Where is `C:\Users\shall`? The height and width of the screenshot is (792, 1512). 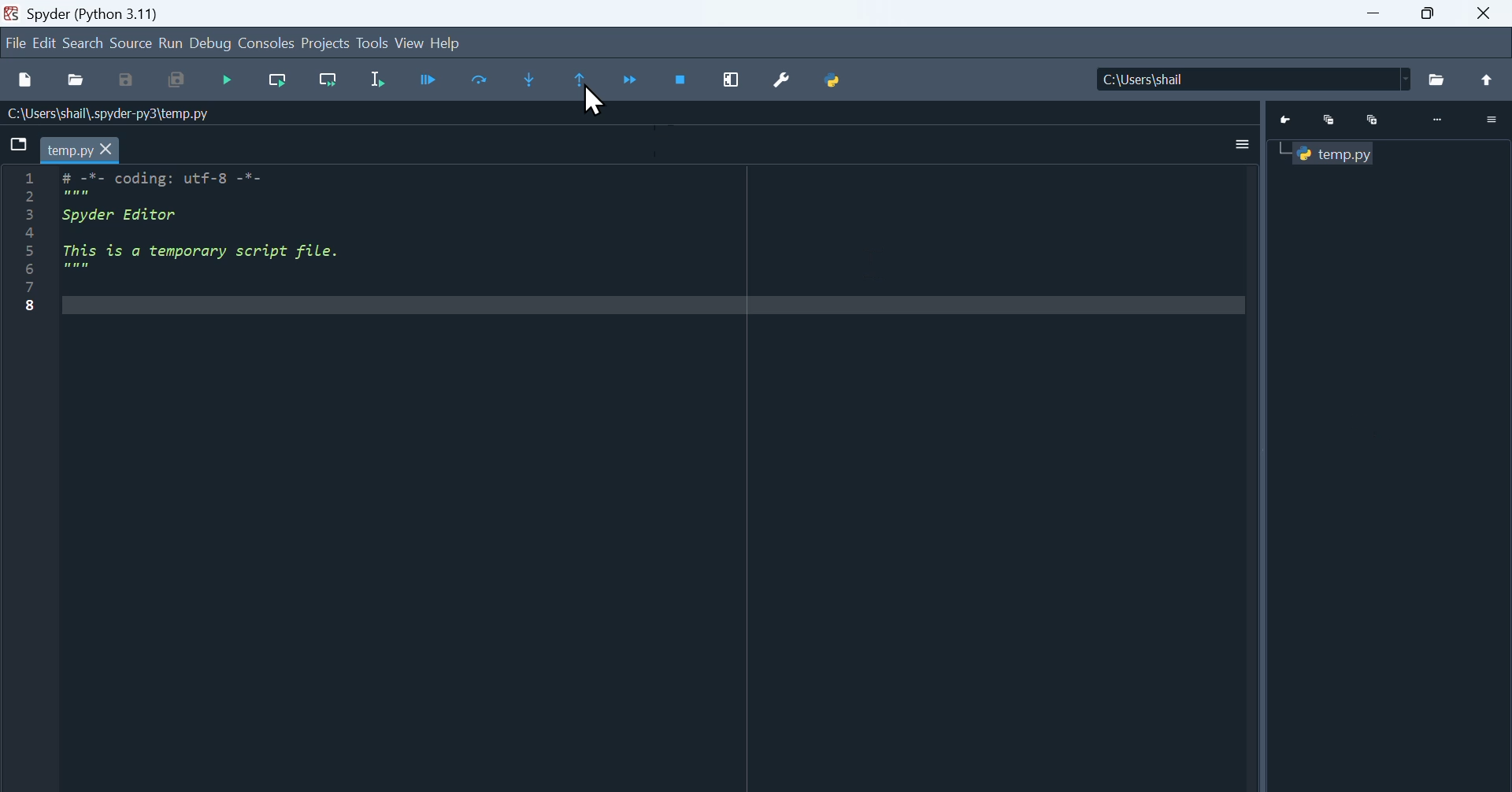 C:\Users\shall is located at coordinates (1251, 79).